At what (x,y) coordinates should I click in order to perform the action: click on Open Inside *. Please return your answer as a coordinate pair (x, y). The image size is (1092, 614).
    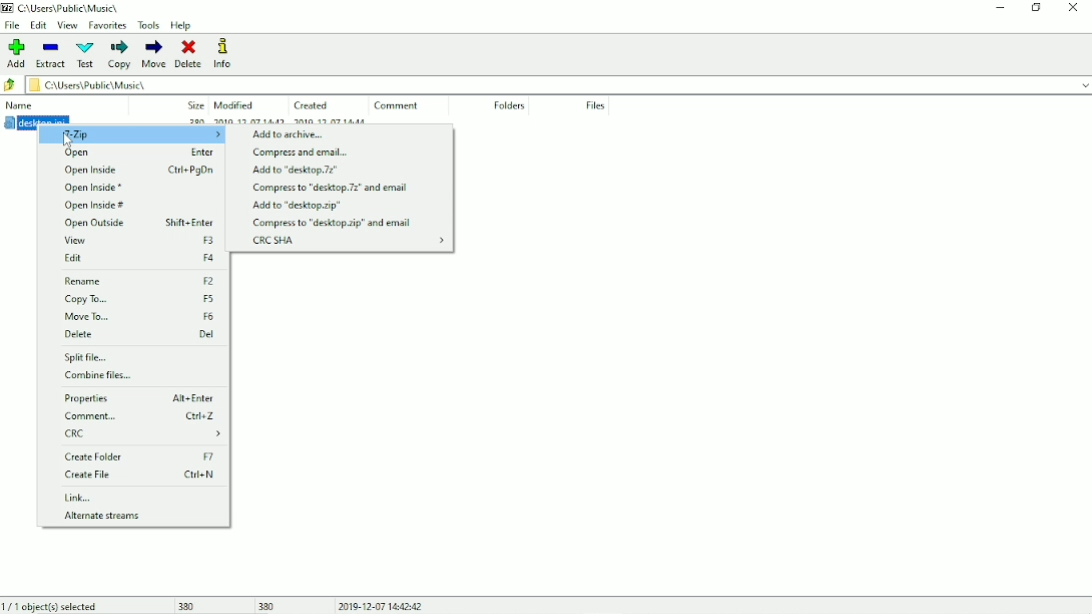
    Looking at the image, I should click on (92, 188).